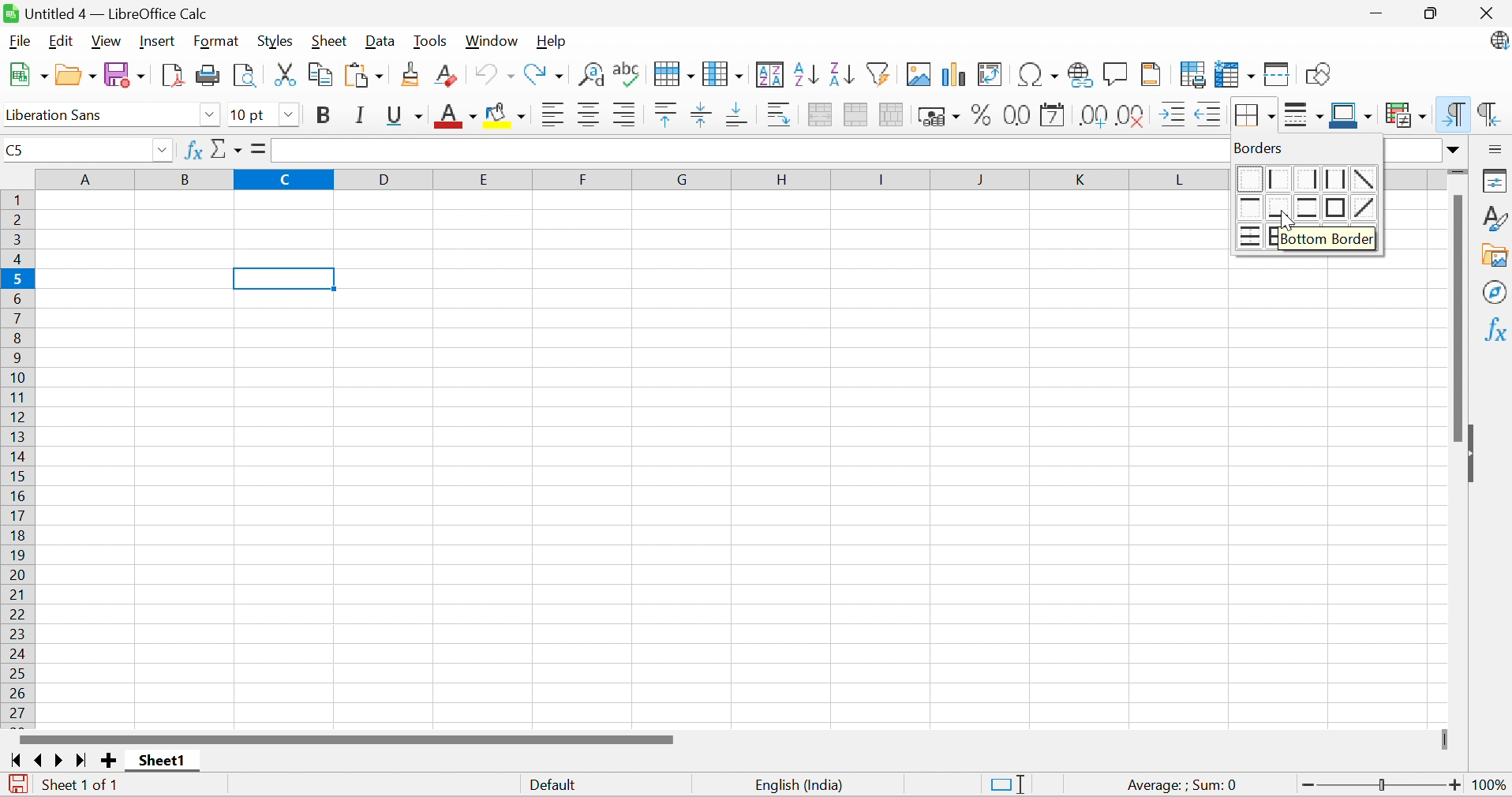 Image resolution: width=1512 pixels, height=797 pixels. Describe the element at coordinates (841, 73) in the screenshot. I see `Sort descending` at that location.